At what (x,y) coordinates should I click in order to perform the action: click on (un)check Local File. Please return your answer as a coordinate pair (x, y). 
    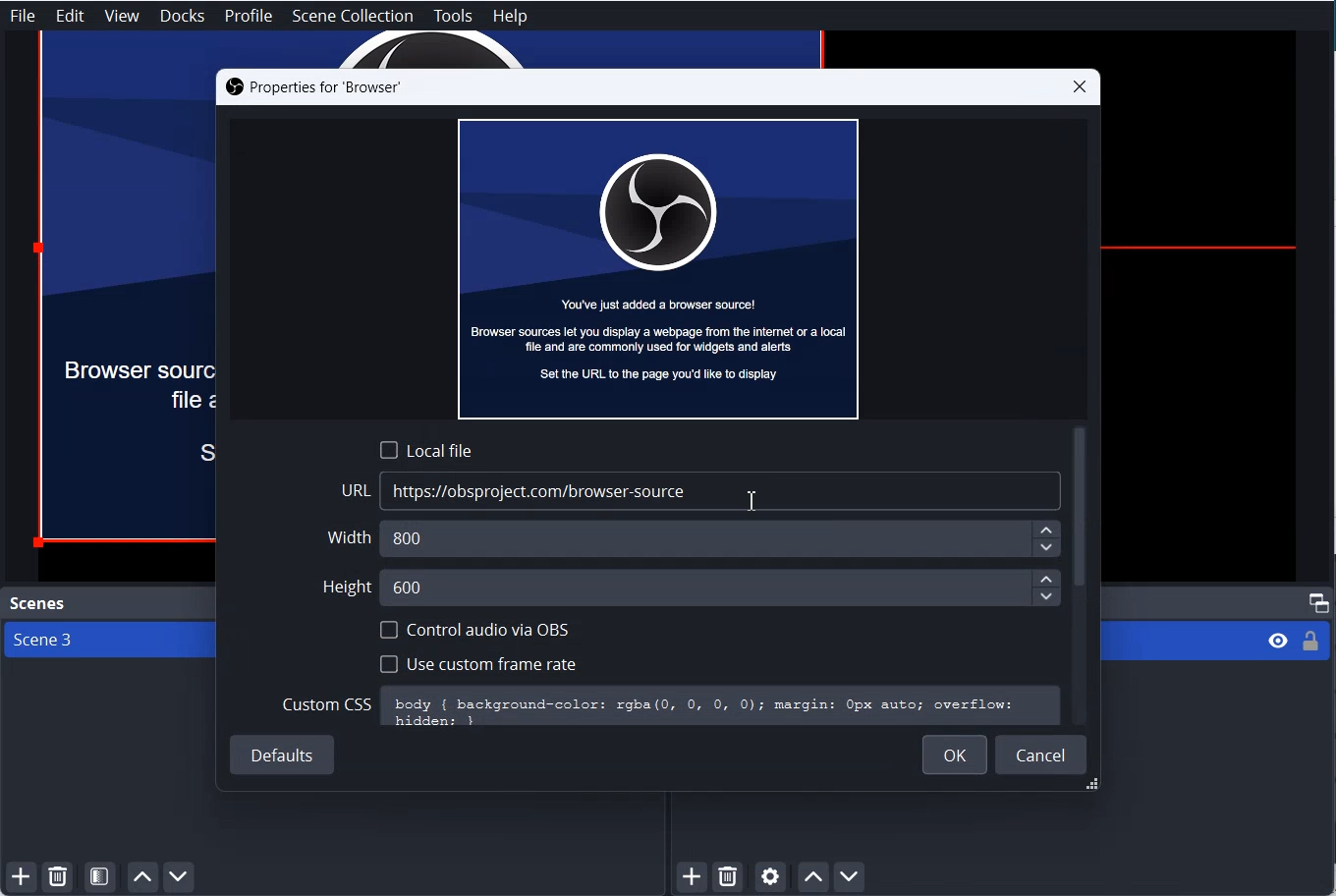
    Looking at the image, I should click on (426, 449).